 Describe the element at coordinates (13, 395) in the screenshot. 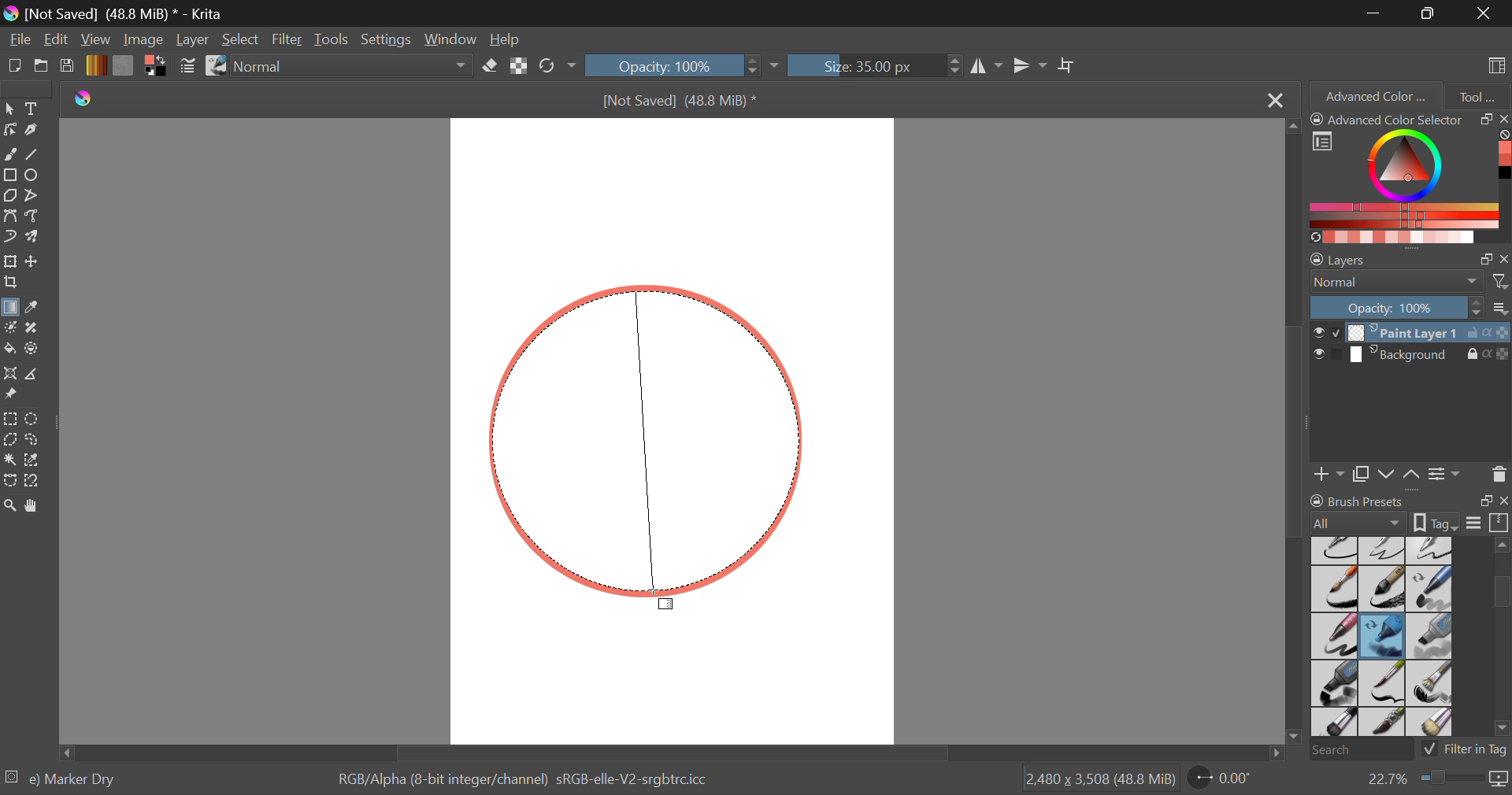

I see `Reference Images` at that location.